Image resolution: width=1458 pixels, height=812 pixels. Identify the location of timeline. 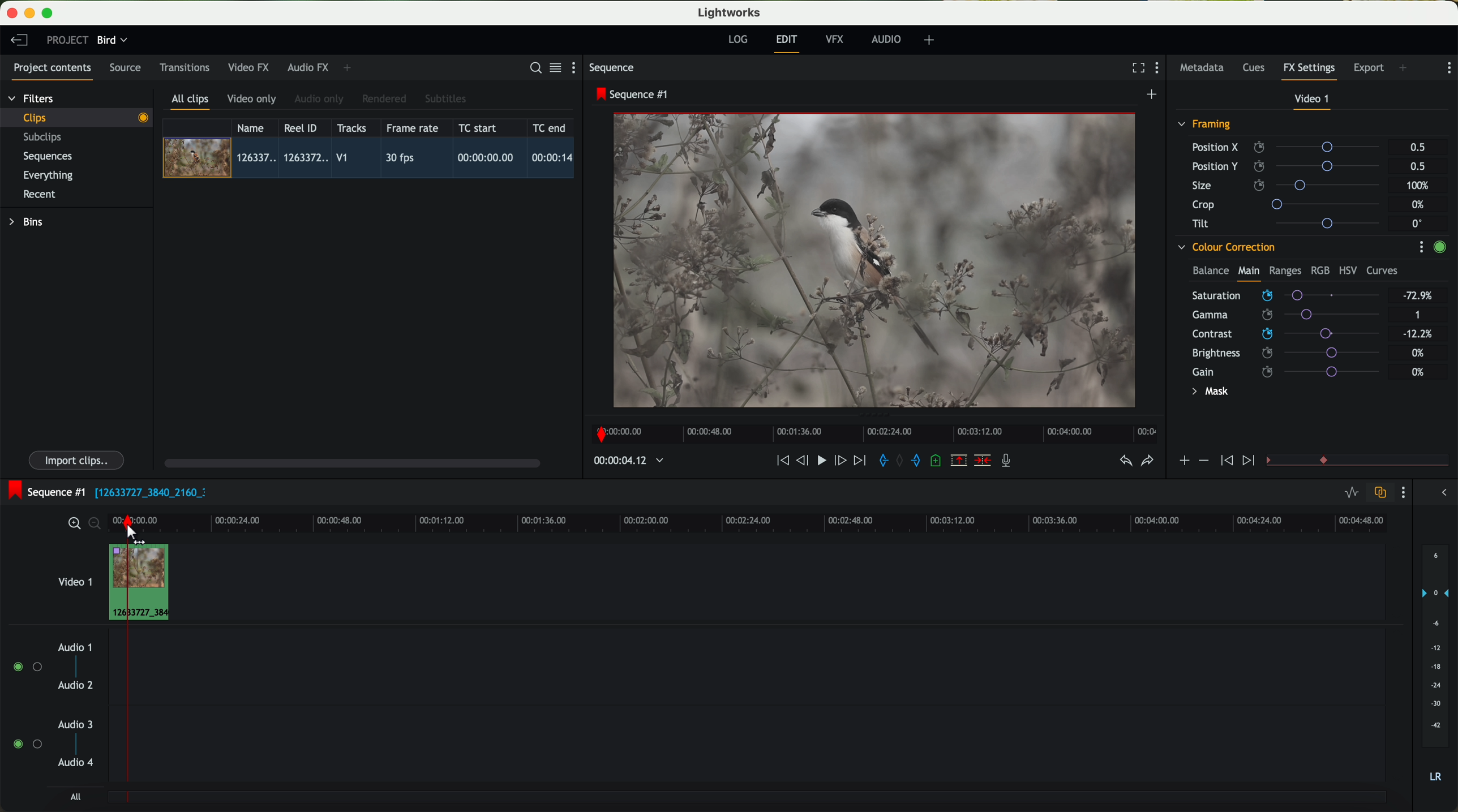
(871, 431).